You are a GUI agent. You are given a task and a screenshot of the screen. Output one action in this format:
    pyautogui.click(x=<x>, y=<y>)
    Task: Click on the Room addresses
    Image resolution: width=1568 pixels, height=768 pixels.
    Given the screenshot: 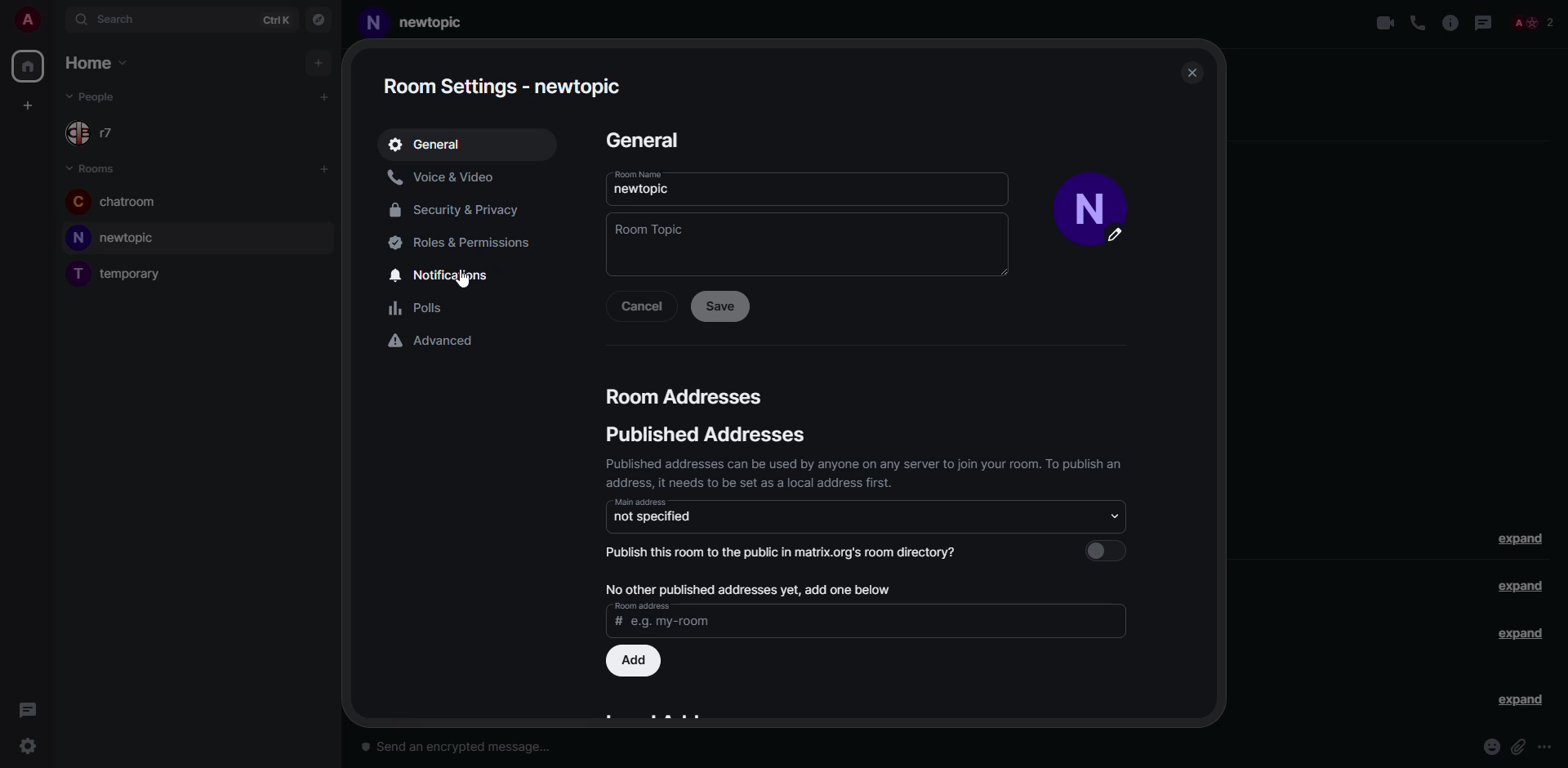 What is the action you would take?
    pyautogui.click(x=686, y=398)
    